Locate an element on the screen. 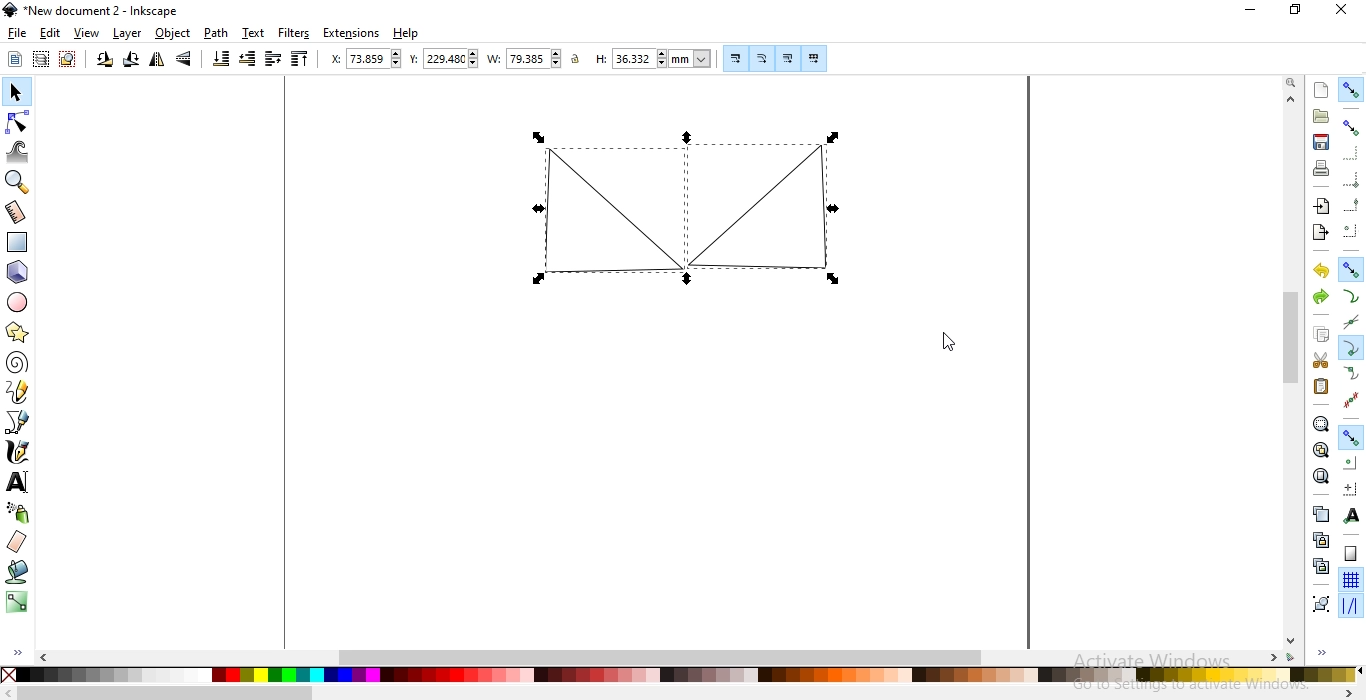  snap text anchors and baselines is located at coordinates (1353, 514).